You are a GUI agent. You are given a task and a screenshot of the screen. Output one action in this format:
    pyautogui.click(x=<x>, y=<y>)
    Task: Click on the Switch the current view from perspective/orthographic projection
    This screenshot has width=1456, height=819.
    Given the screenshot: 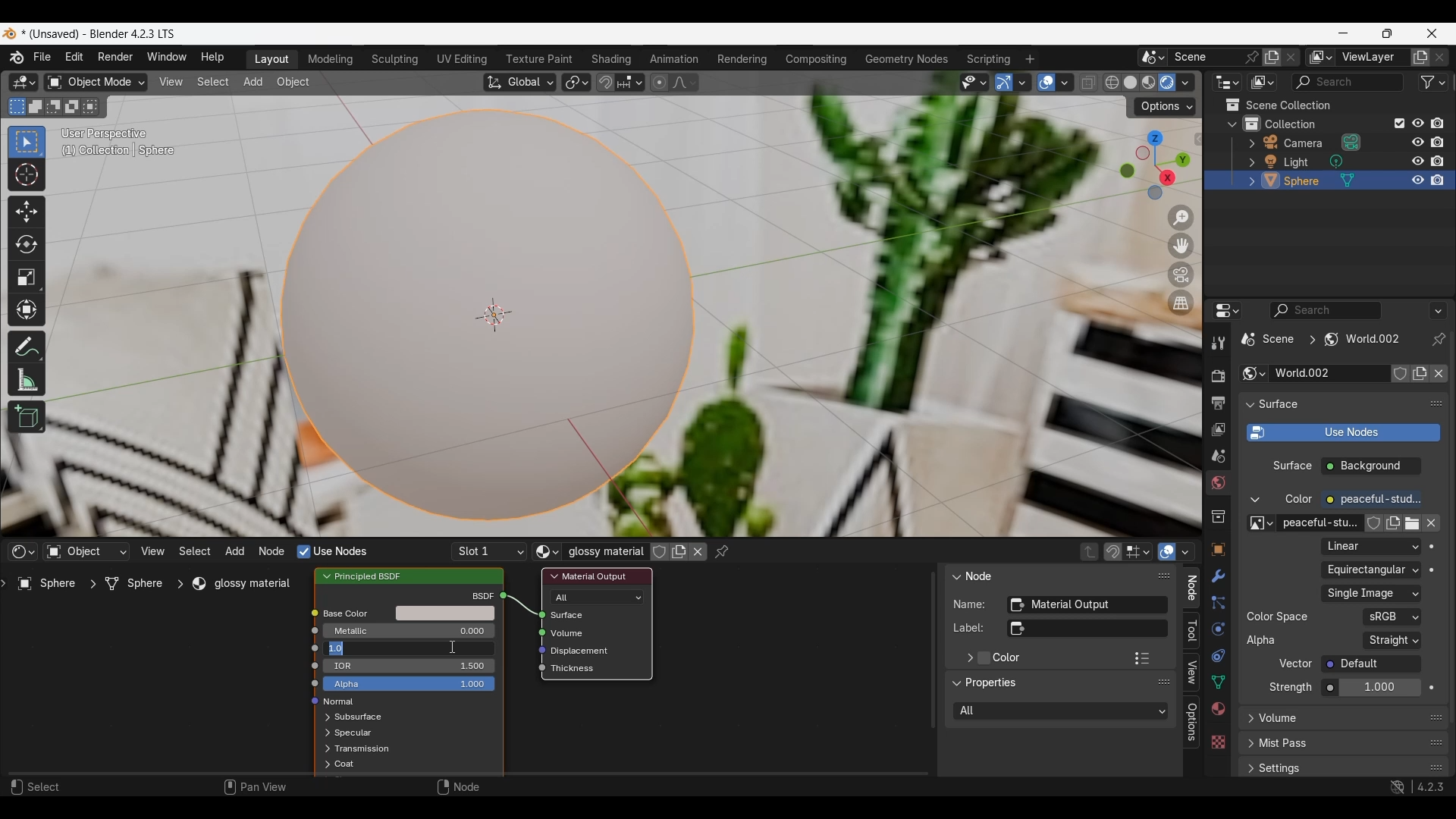 What is the action you would take?
    pyautogui.click(x=1181, y=303)
    